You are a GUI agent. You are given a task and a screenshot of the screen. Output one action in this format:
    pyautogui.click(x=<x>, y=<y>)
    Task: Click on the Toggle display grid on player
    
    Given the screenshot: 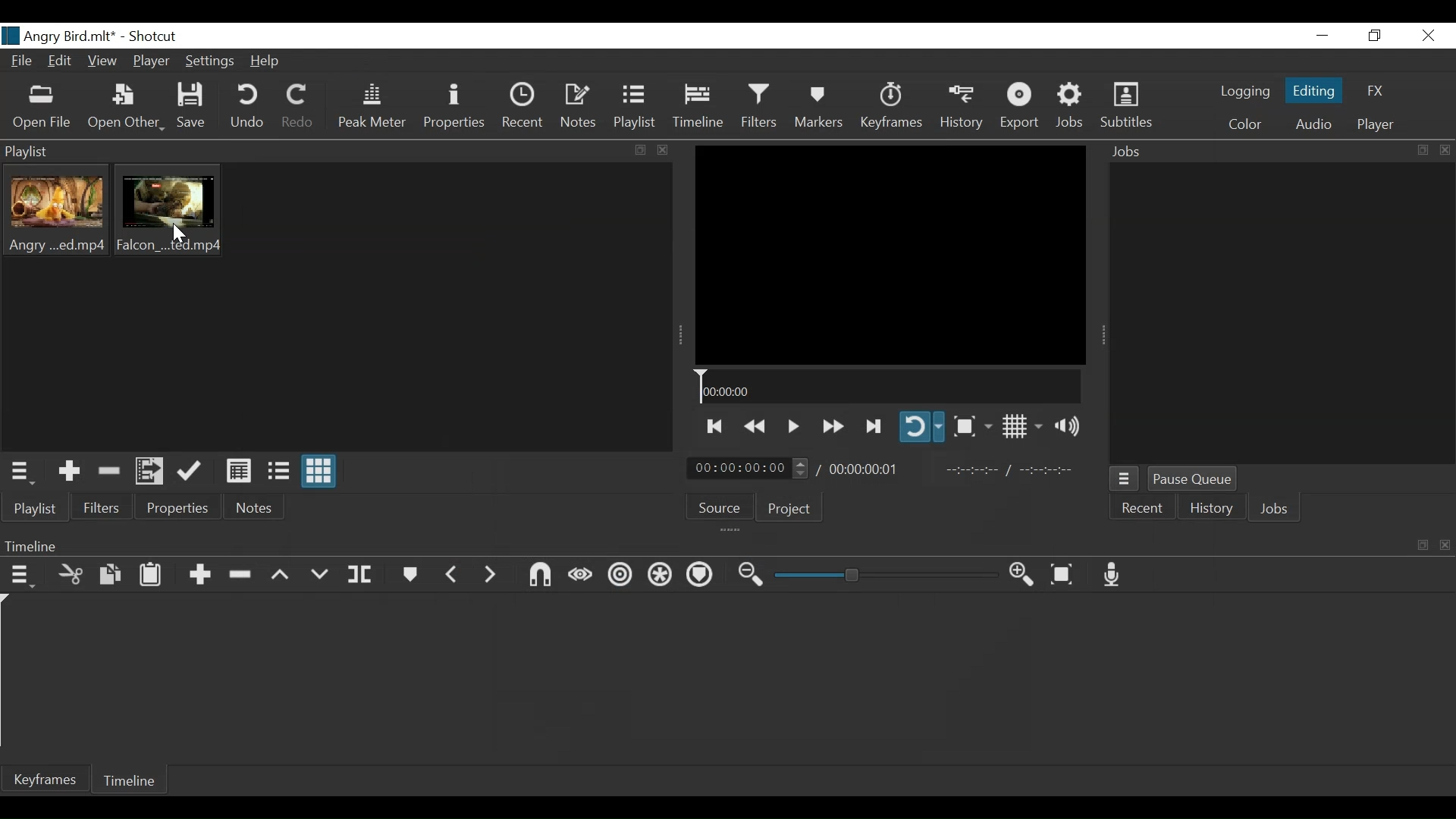 What is the action you would take?
    pyautogui.click(x=1025, y=426)
    